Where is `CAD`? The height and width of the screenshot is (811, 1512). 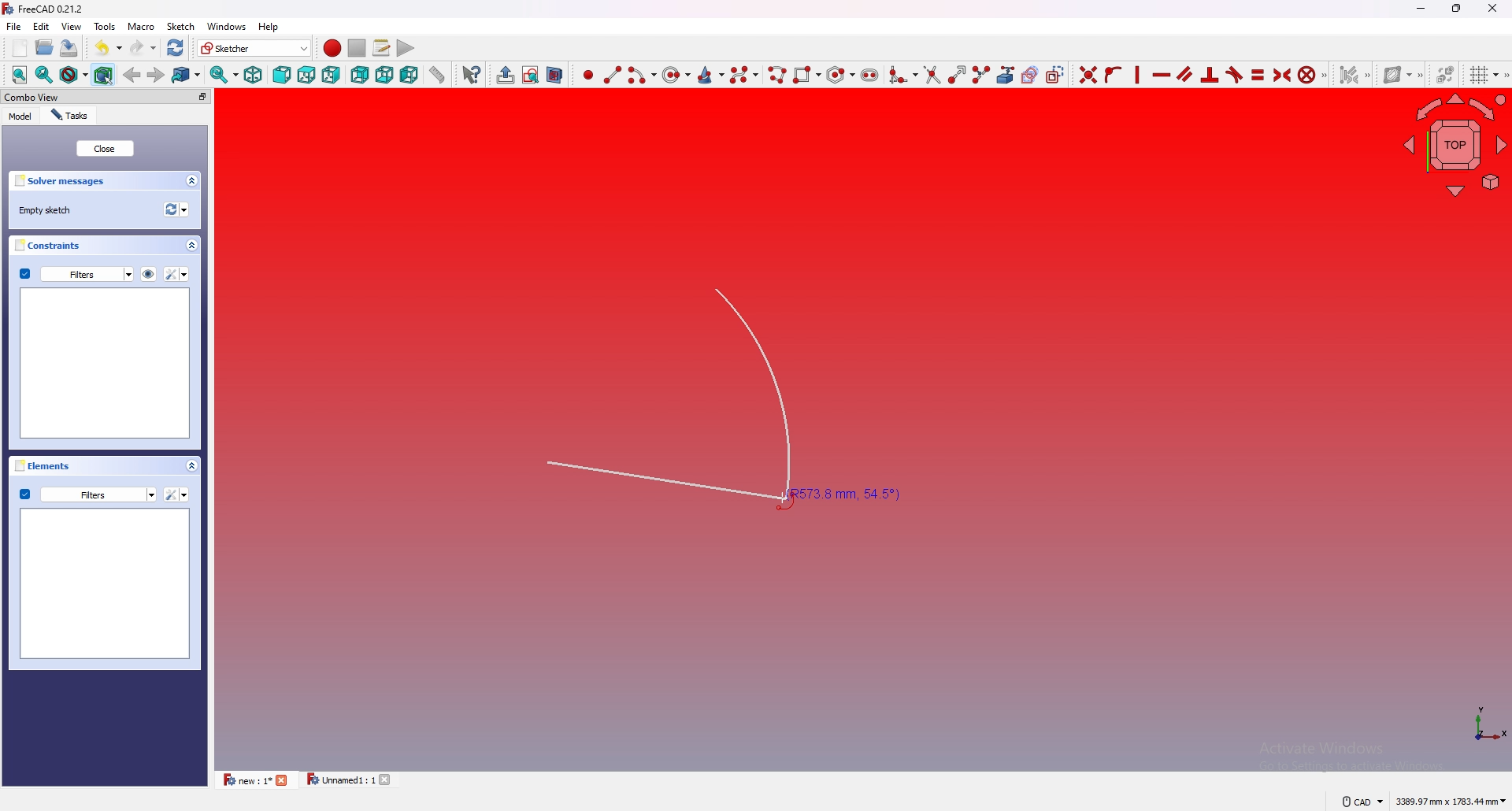
CAD is located at coordinates (1361, 801).